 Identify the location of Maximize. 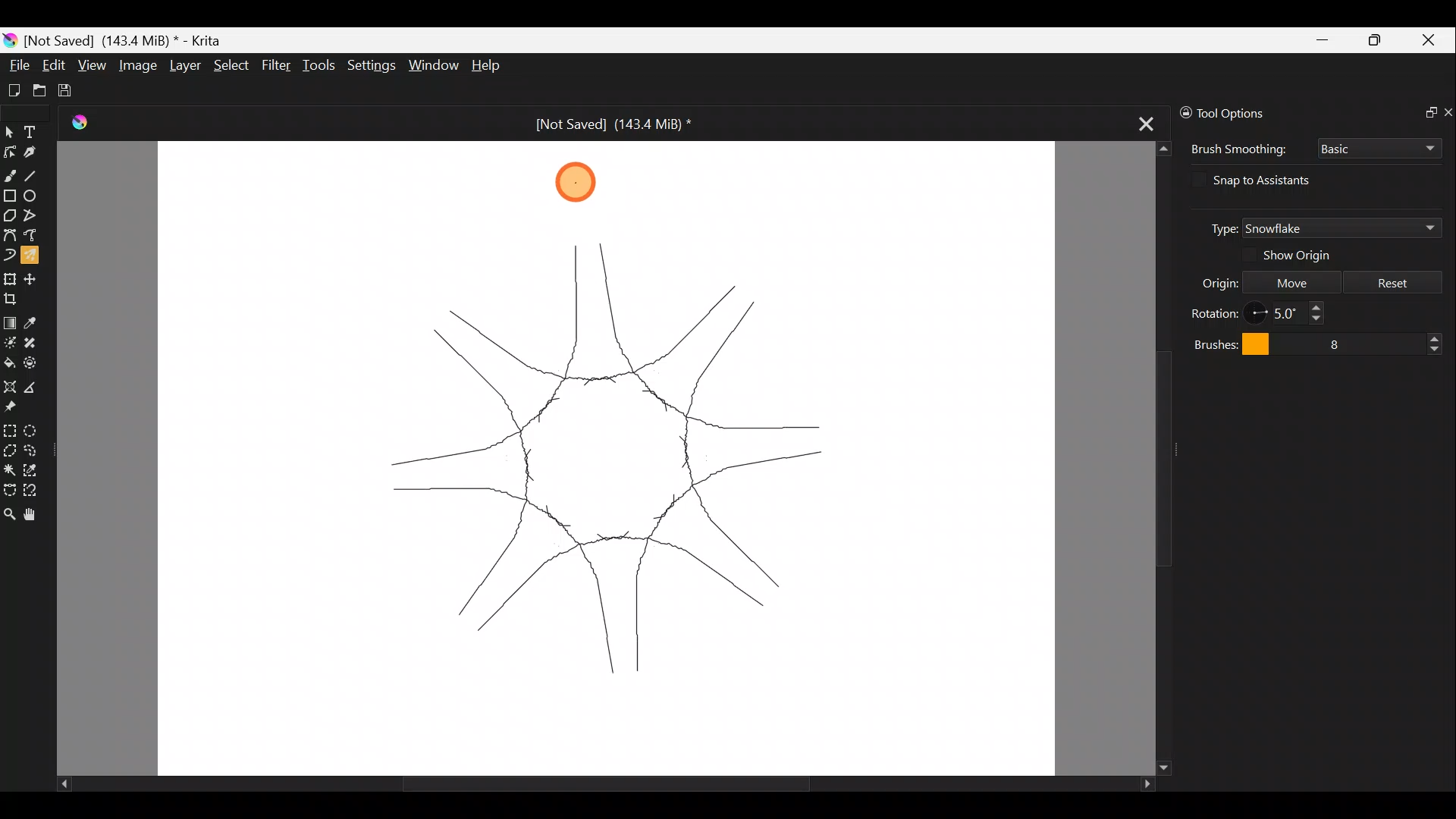
(1377, 39).